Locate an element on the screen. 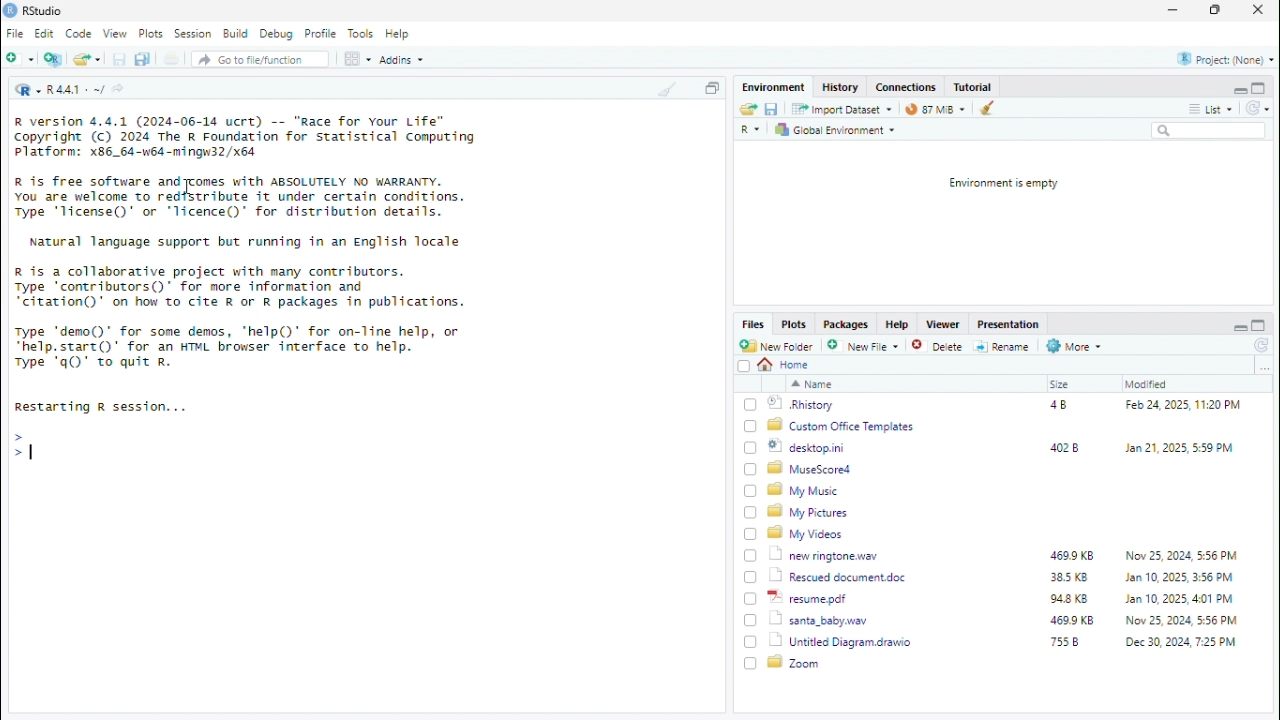  Untitled Diagram.drawio 755B Dec 30, 2024, 7.25 PM is located at coordinates (1005, 642).